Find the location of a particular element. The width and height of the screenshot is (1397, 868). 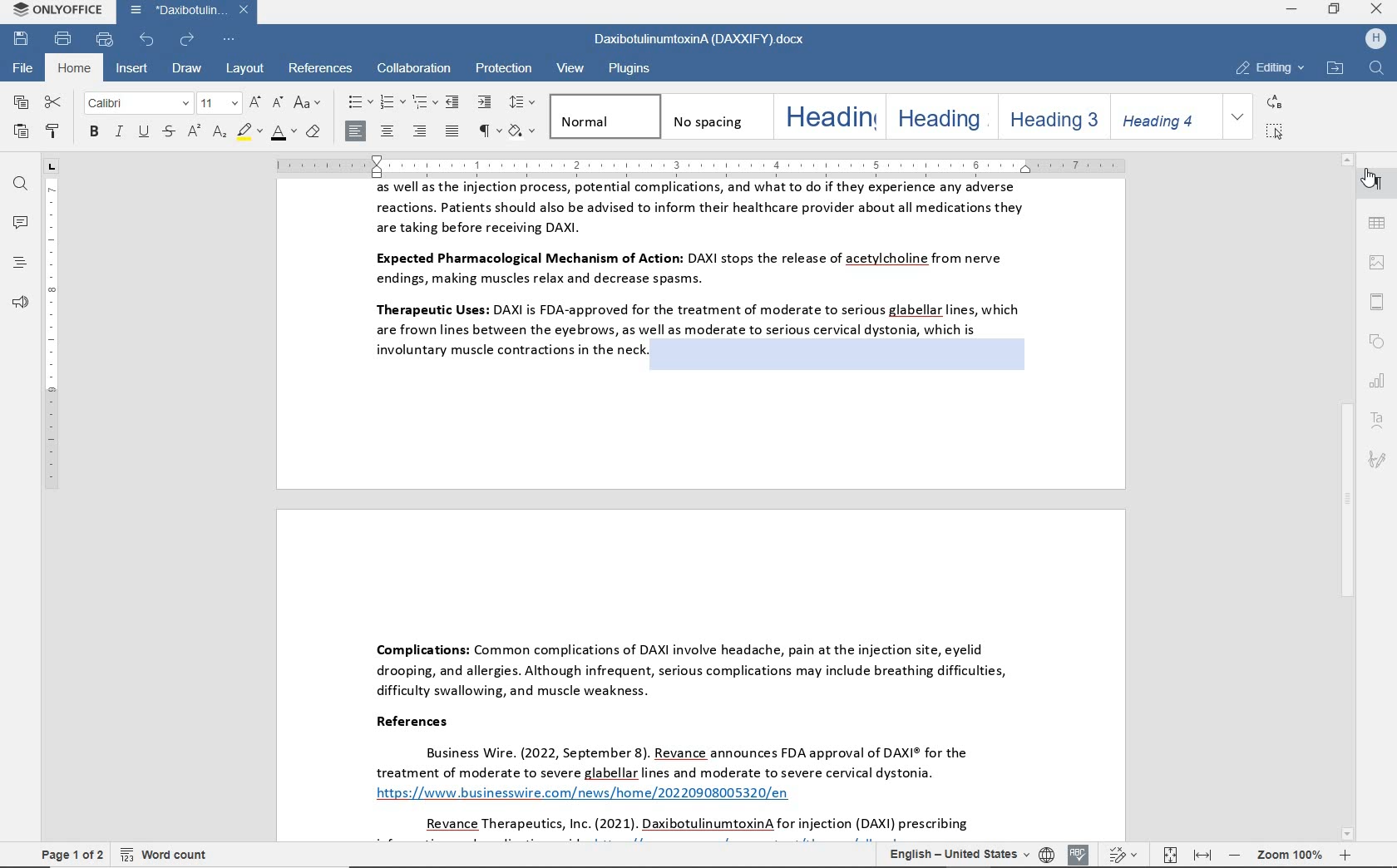

word count is located at coordinates (165, 852).